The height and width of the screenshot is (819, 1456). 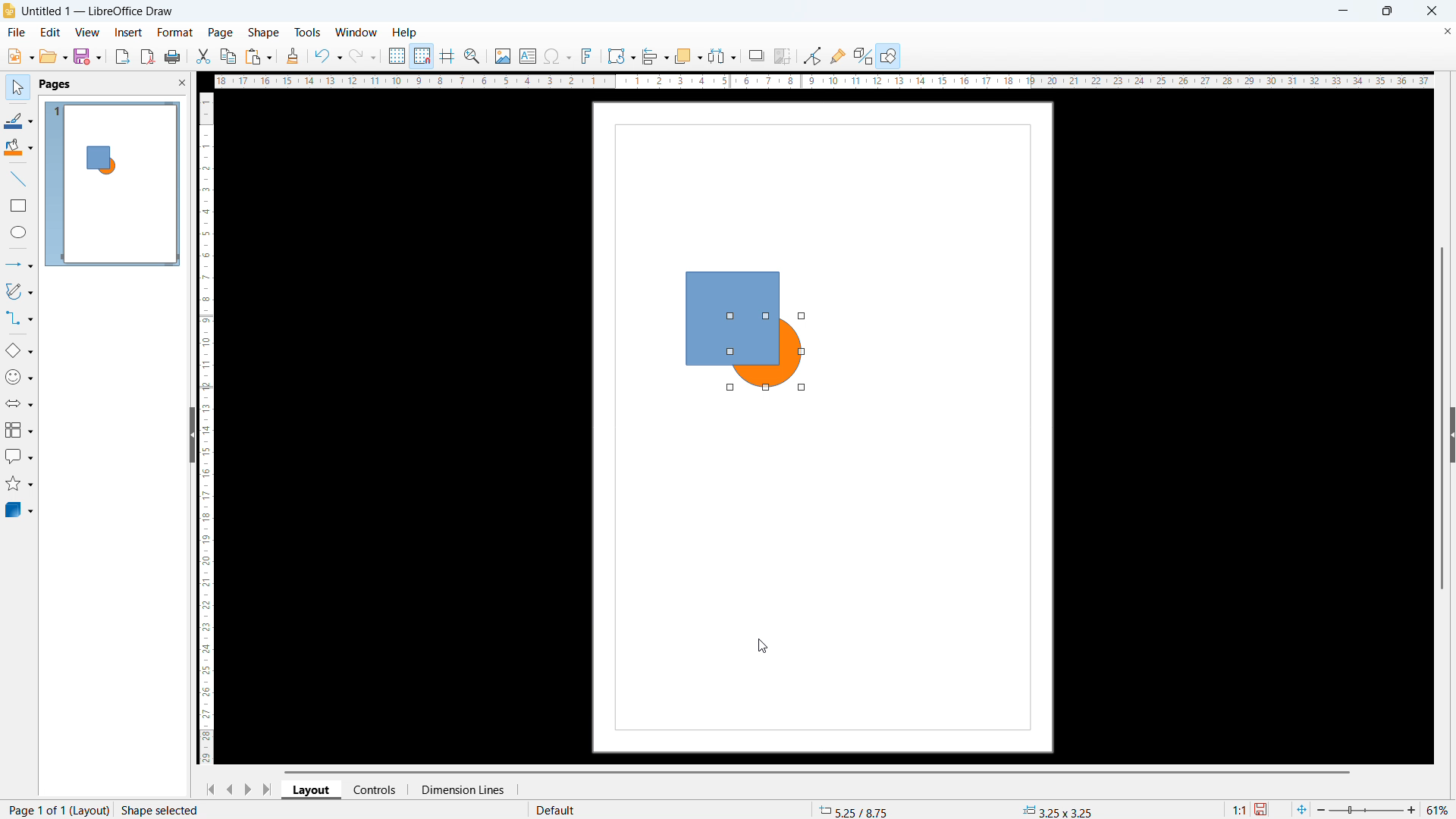 What do you see at coordinates (783, 56) in the screenshot?
I see `crop image` at bounding box center [783, 56].